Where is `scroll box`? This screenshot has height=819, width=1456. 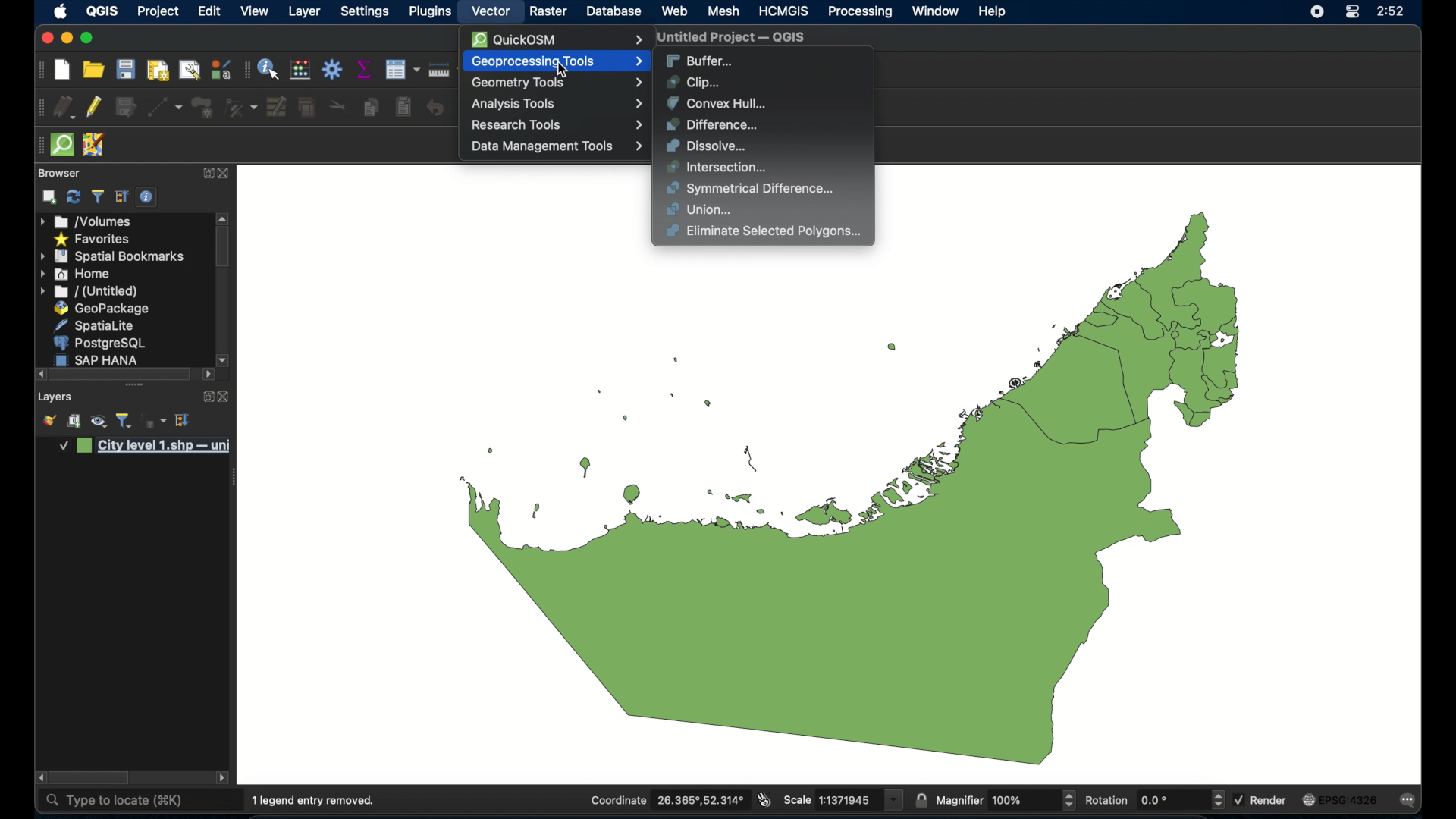
scroll box is located at coordinates (223, 249).